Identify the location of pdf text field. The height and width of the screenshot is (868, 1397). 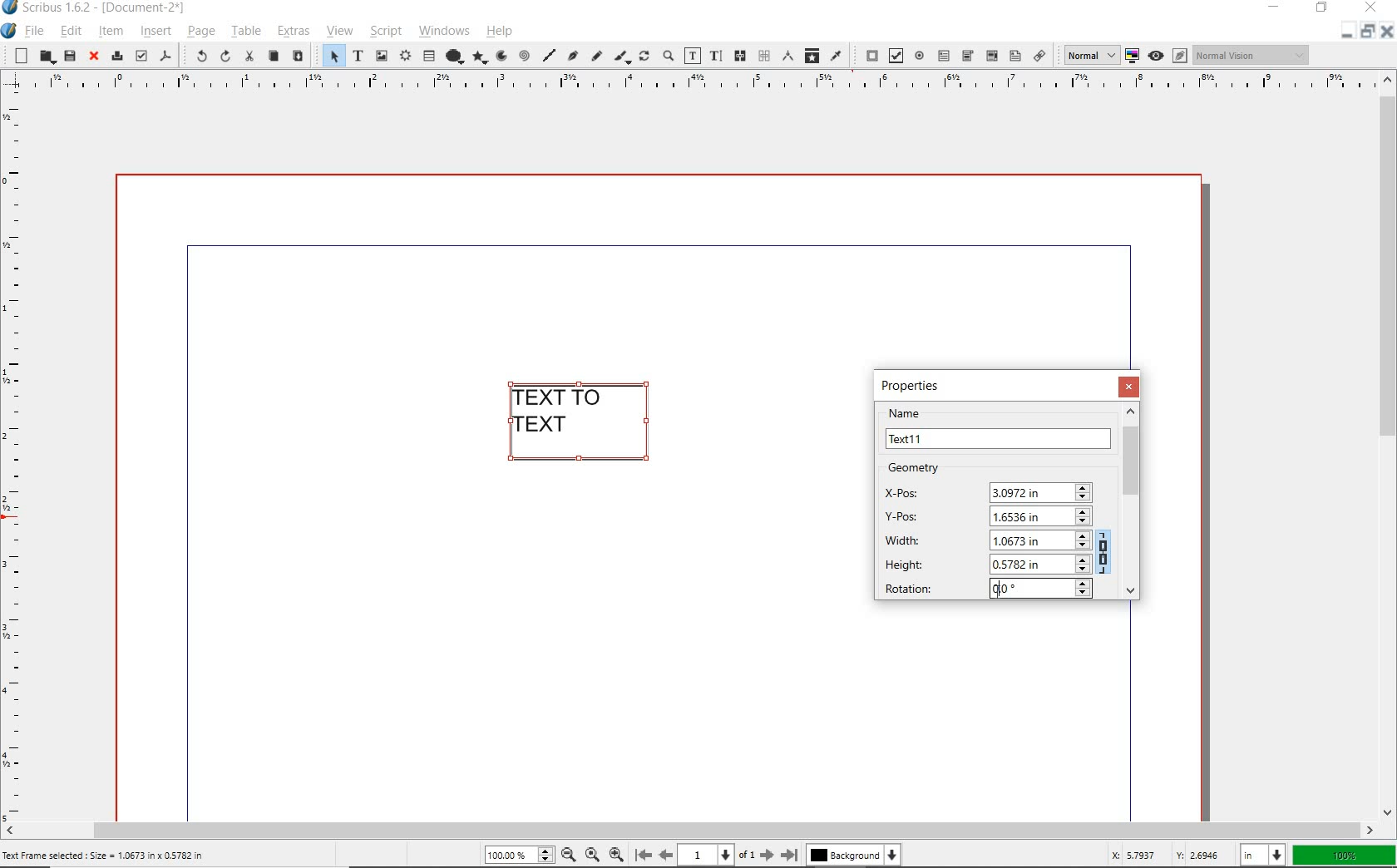
(944, 55).